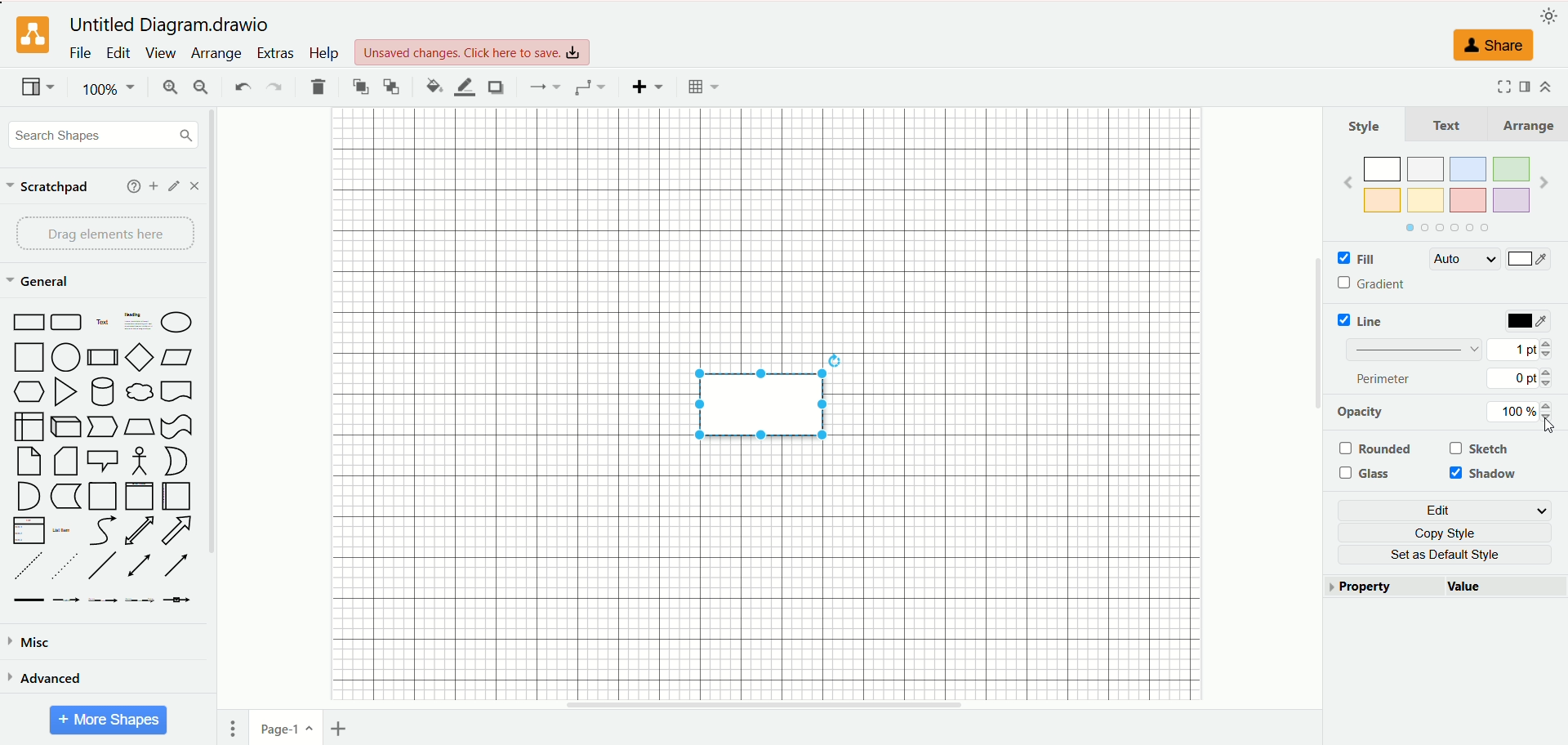 The width and height of the screenshot is (1568, 745). Describe the element at coordinates (1522, 378) in the screenshot. I see `0 pt` at that location.